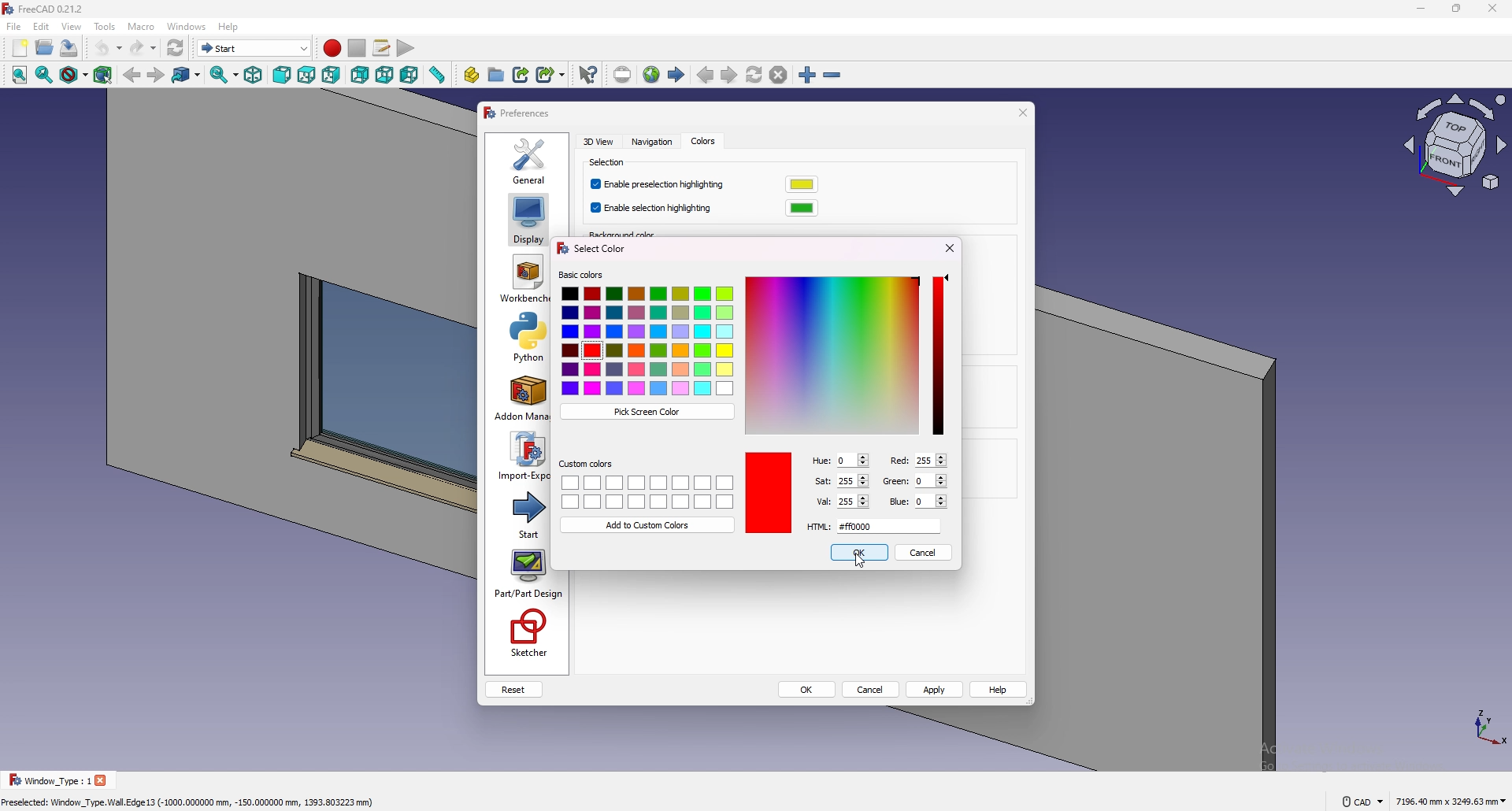  I want to click on colors, so click(702, 142).